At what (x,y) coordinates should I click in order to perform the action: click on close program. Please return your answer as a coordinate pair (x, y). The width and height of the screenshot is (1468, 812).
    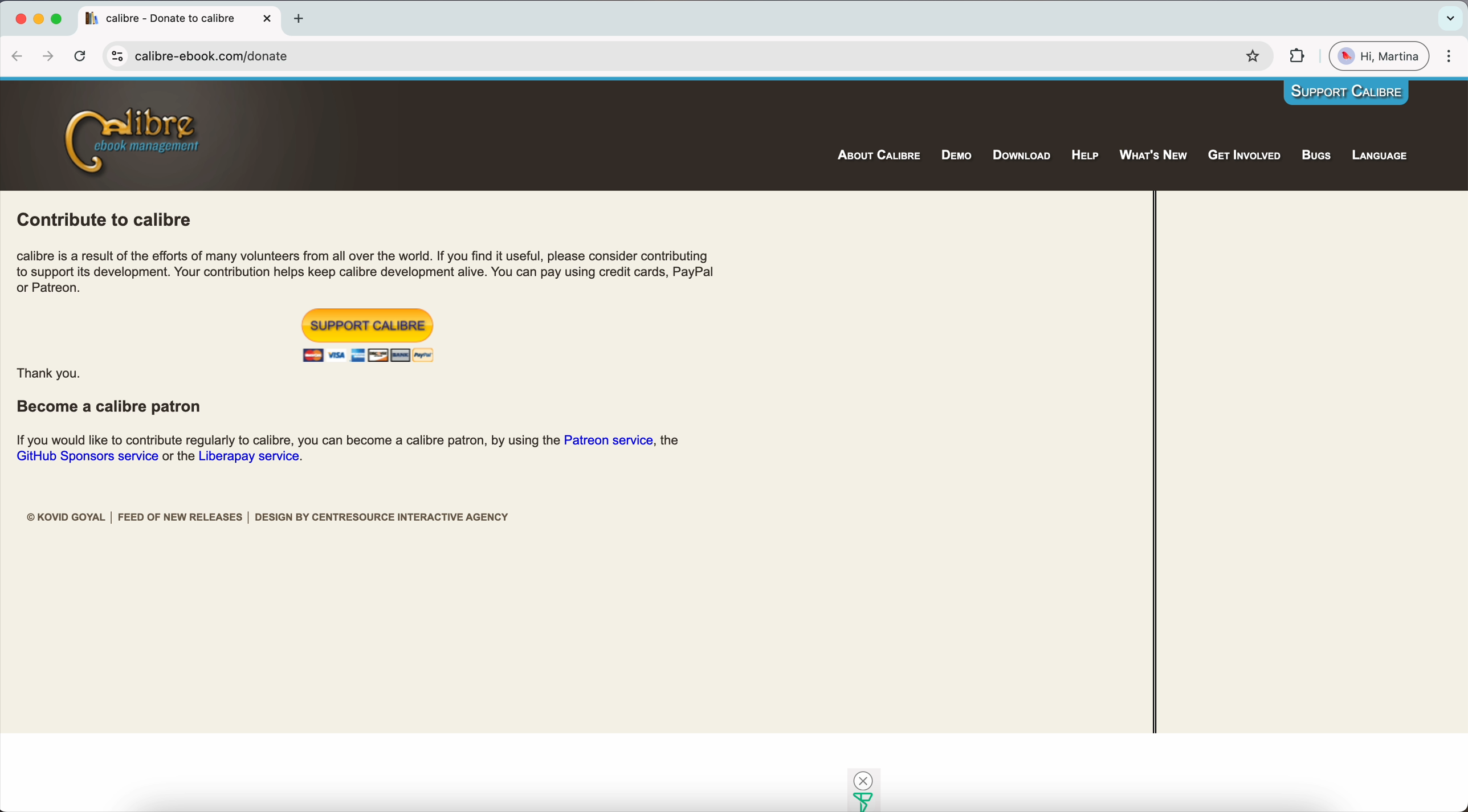
    Looking at the image, I should click on (18, 13).